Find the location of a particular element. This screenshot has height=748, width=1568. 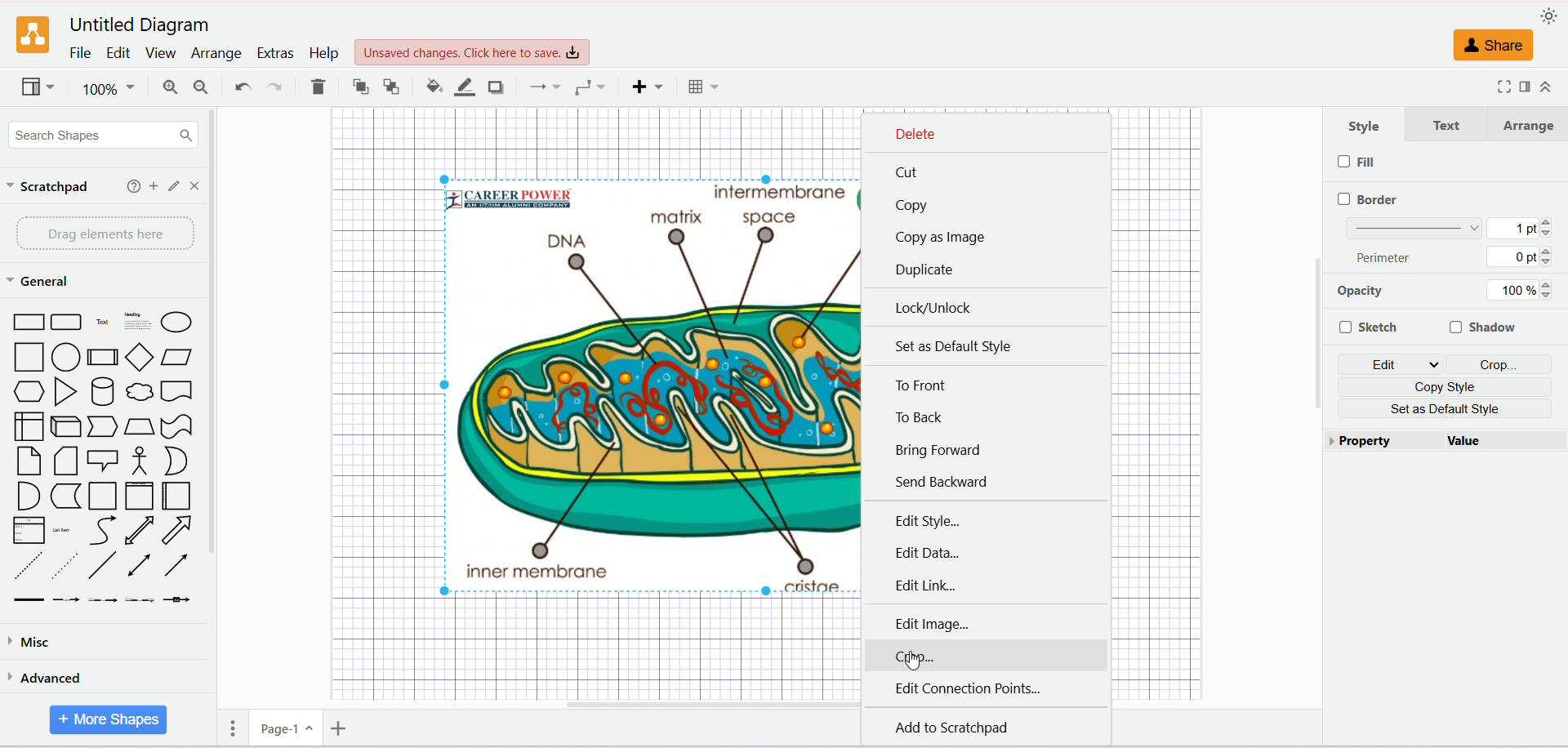

Curves is located at coordinates (106, 532).